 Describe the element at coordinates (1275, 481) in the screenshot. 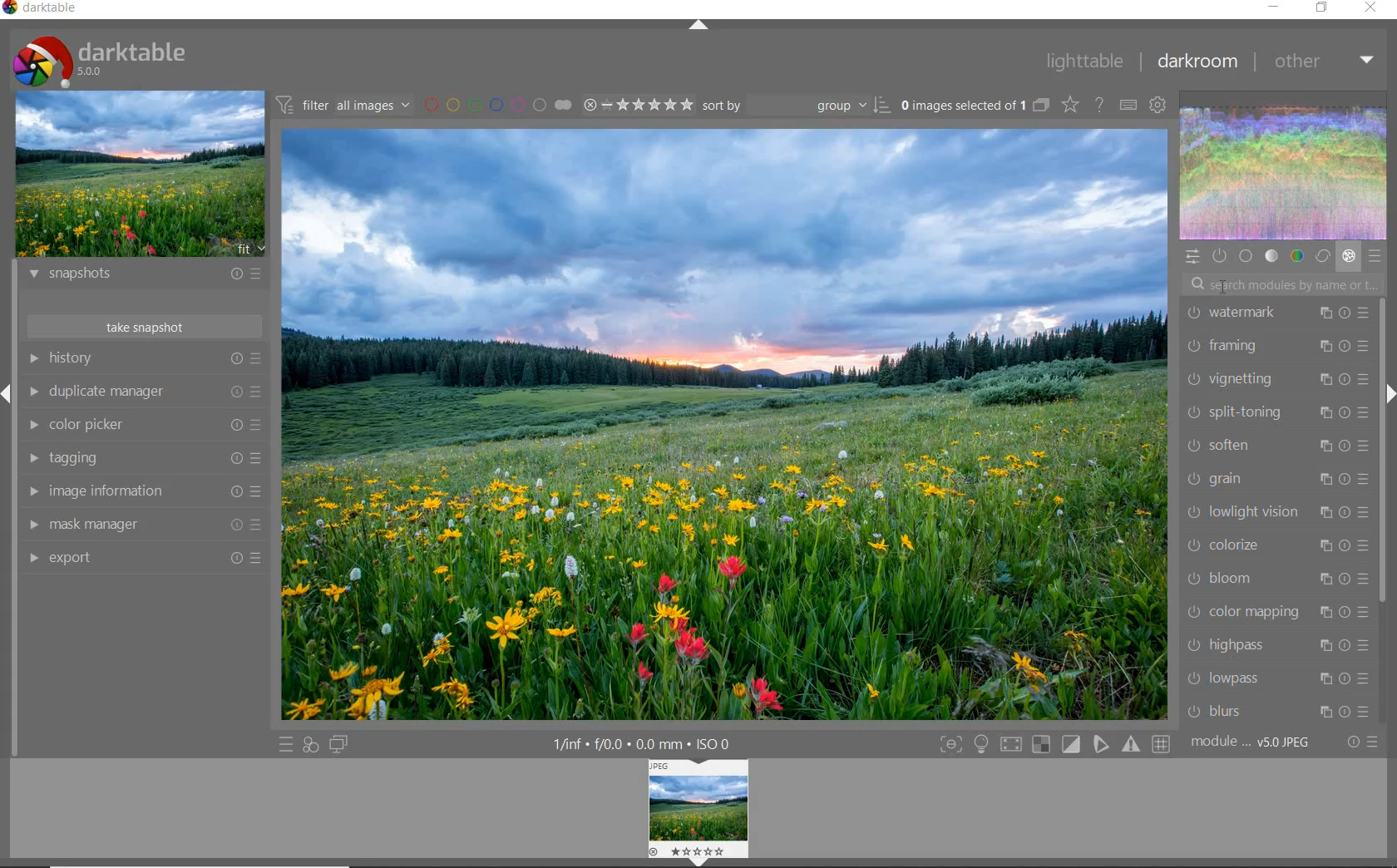

I see `grain` at that location.